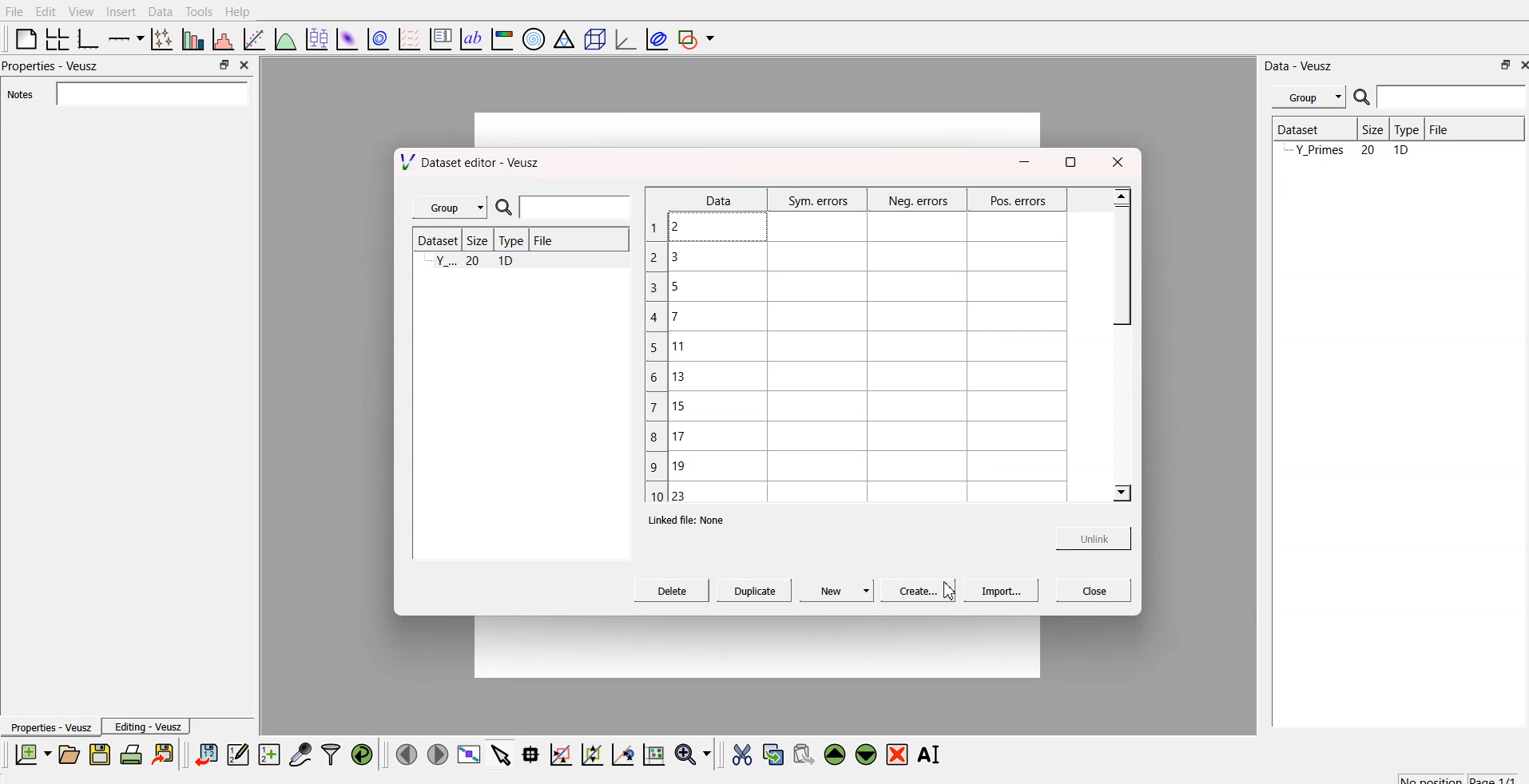 The width and height of the screenshot is (1529, 784). I want to click on close, so click(243, 64).